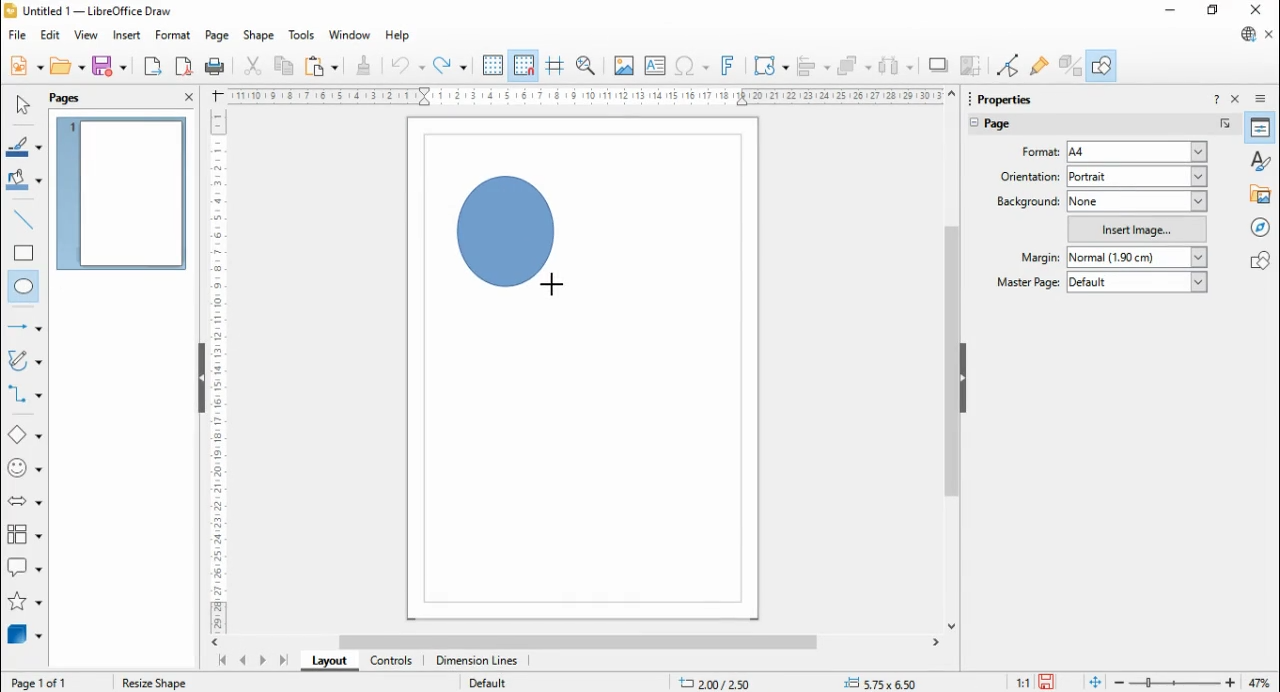 The width and height of the screenshot is (1280, 692). What do you see at coordinates (263, 662) in the screenshot?
I see `next page` at bounding box center [263, 662].